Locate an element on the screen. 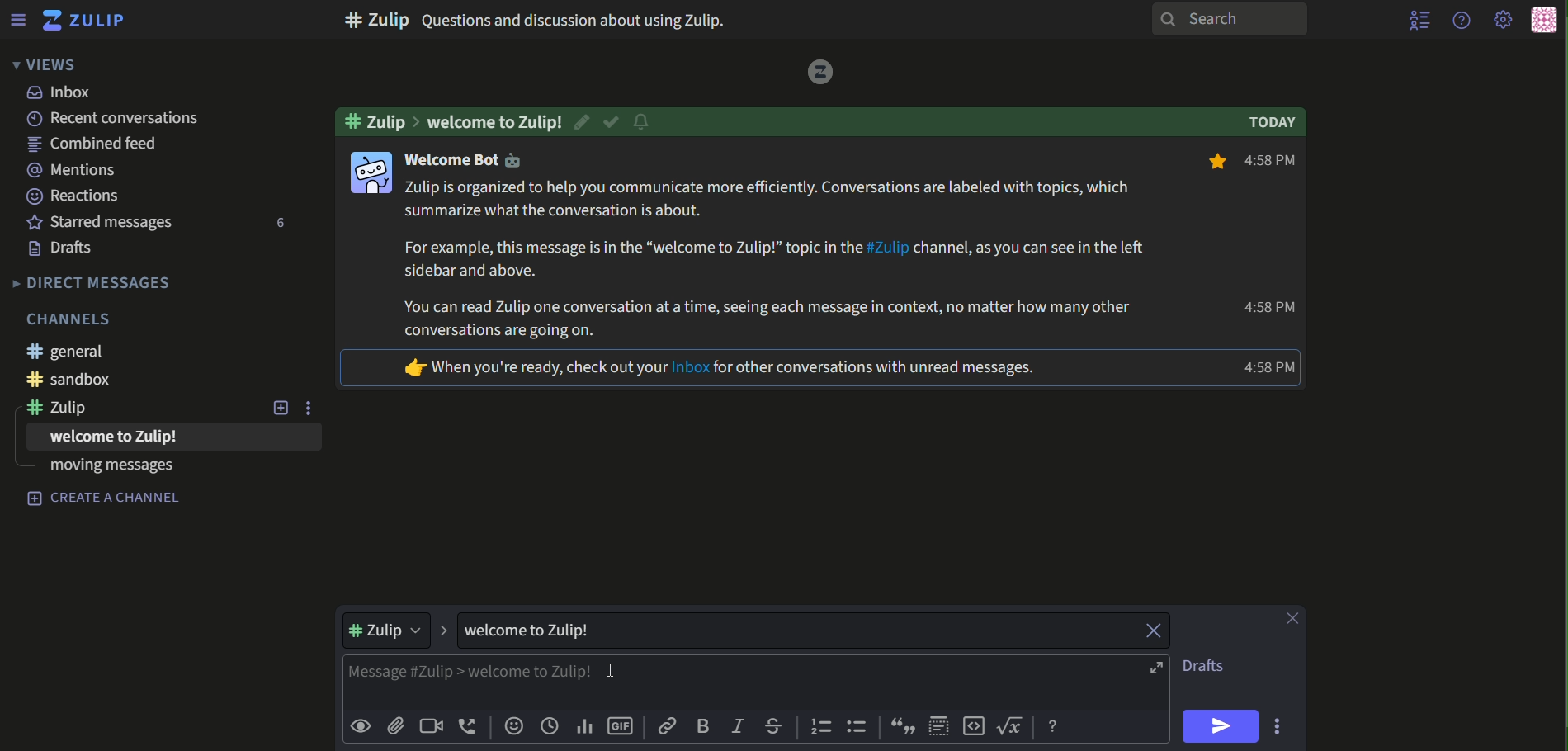 This screenshot has width=1568, height=751. text is located at coordinates (1269, 309).